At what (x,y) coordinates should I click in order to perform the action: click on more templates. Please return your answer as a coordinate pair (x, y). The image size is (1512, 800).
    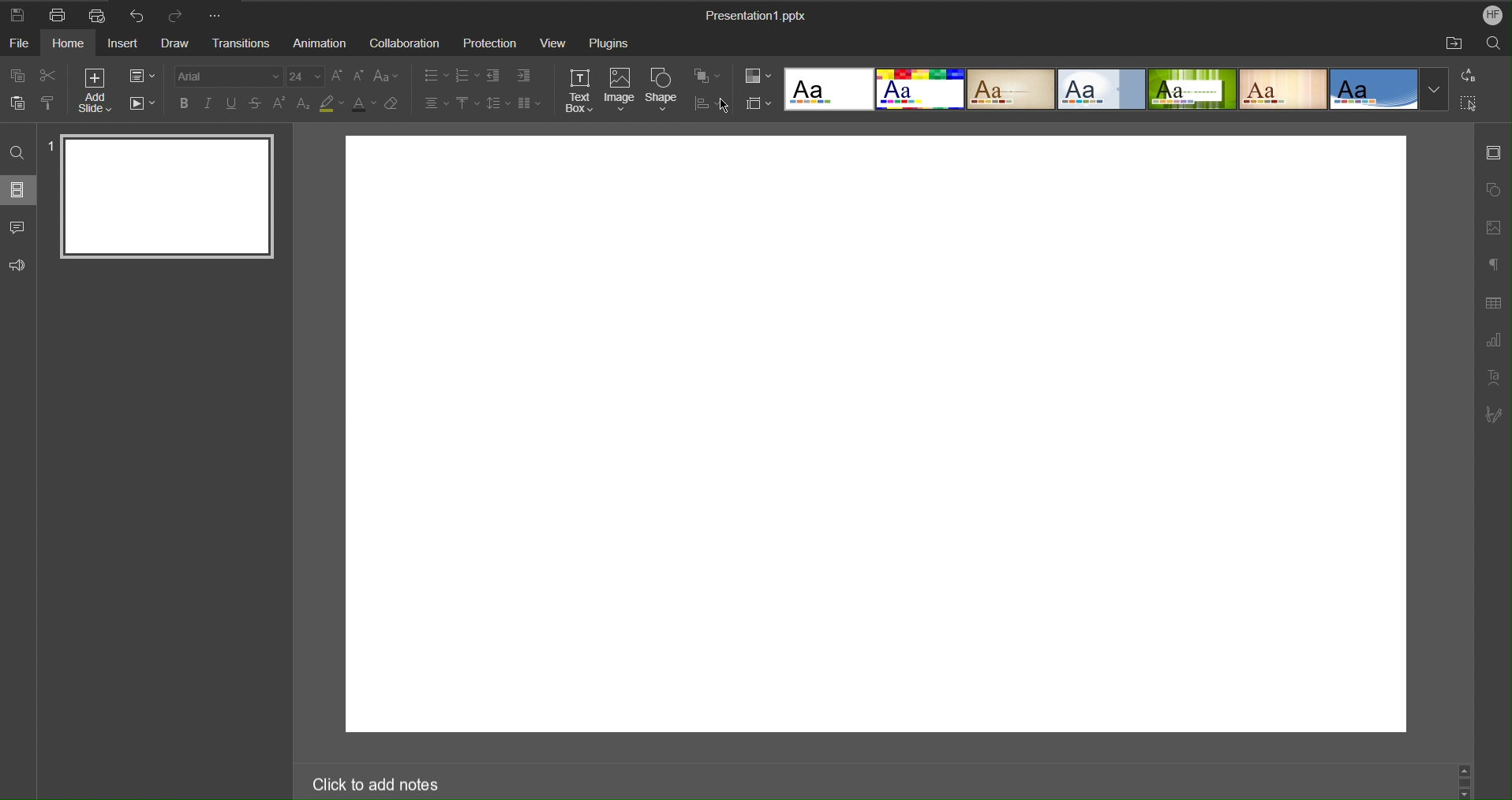
    Looking at the image, I should click on (1435, 91).